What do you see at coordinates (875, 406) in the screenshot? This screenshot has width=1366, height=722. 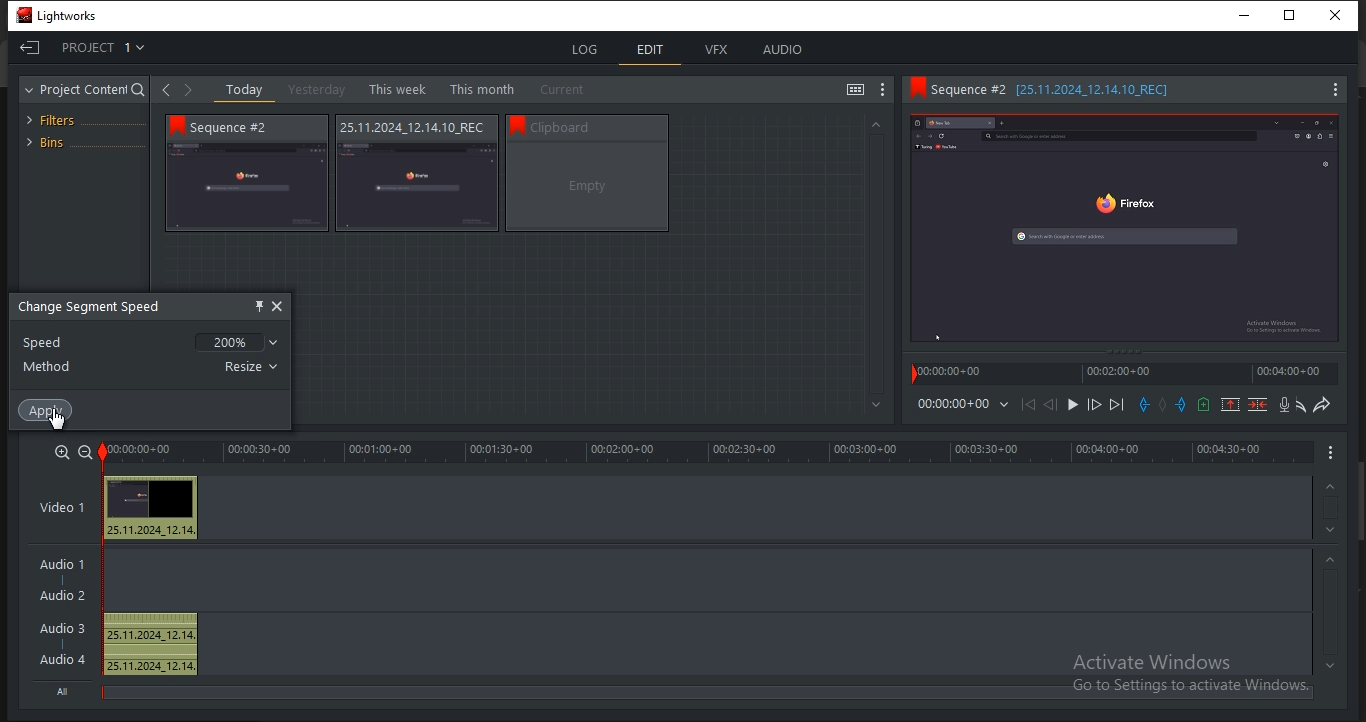 I see `Greyed out down arrow` at bounding box center [875, 406].